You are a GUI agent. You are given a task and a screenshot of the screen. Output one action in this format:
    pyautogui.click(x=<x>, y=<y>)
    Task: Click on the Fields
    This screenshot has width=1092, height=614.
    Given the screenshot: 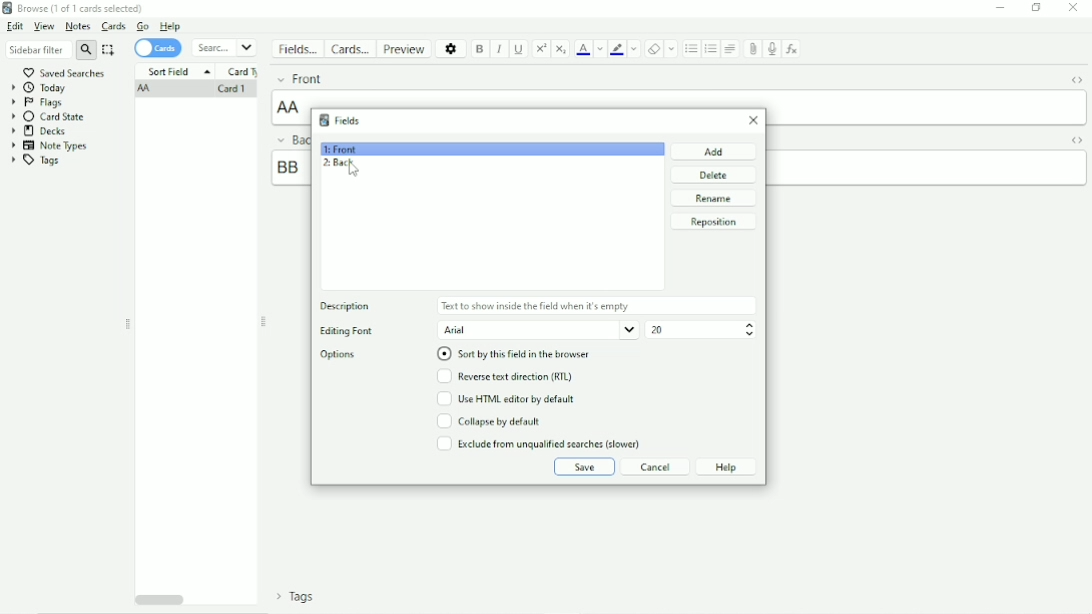 What is the action you would take?
    pyautogui.click(x=297, y=49)
    